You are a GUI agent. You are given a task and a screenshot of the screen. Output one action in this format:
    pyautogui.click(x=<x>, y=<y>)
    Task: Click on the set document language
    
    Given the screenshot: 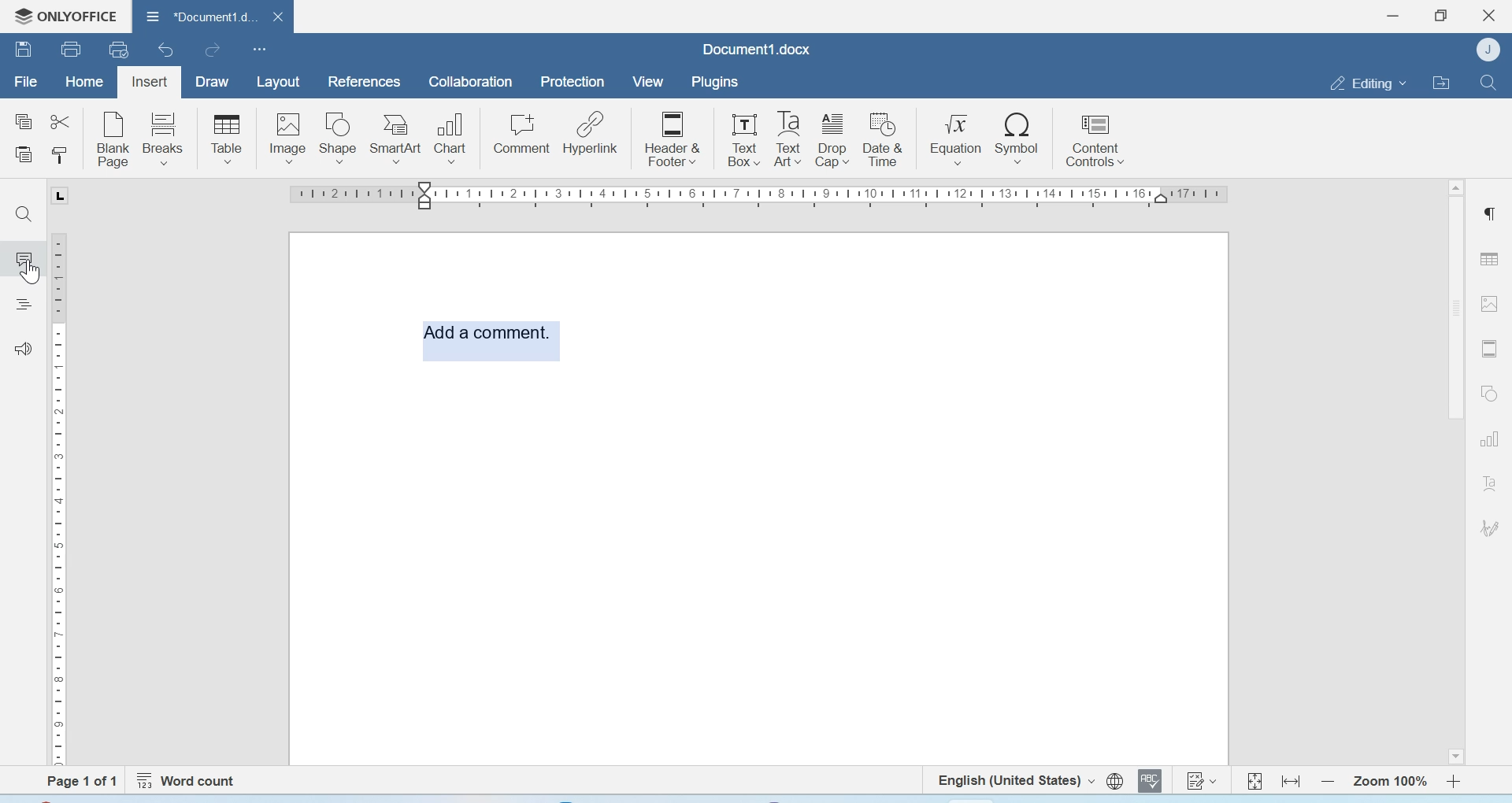 What is the action you would take?
    pyautogui.click(x=1115, y=781)
    